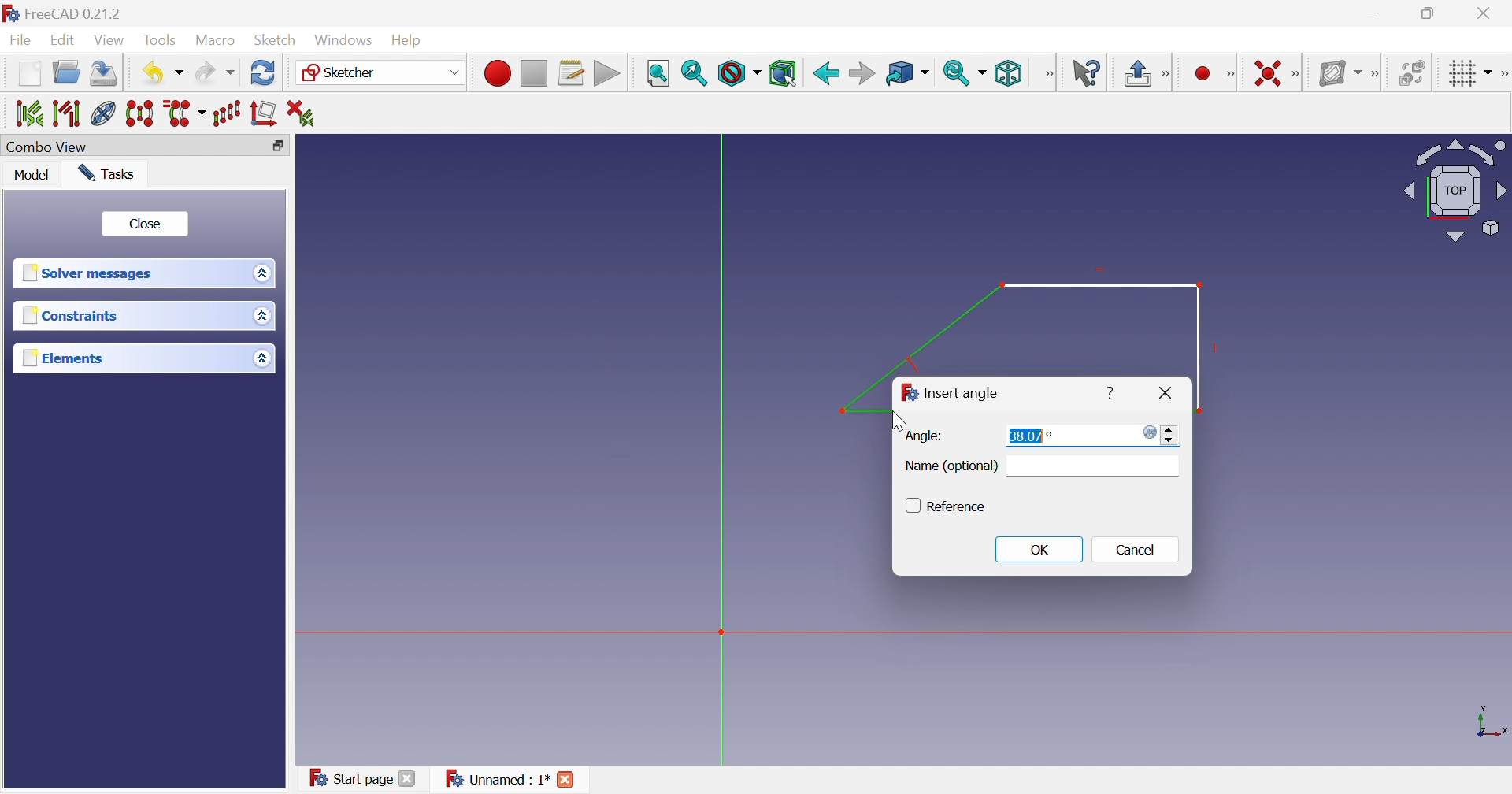  Describe the element at coordinates (110, 173) in the screenshot. I see `Tasks` at that location.